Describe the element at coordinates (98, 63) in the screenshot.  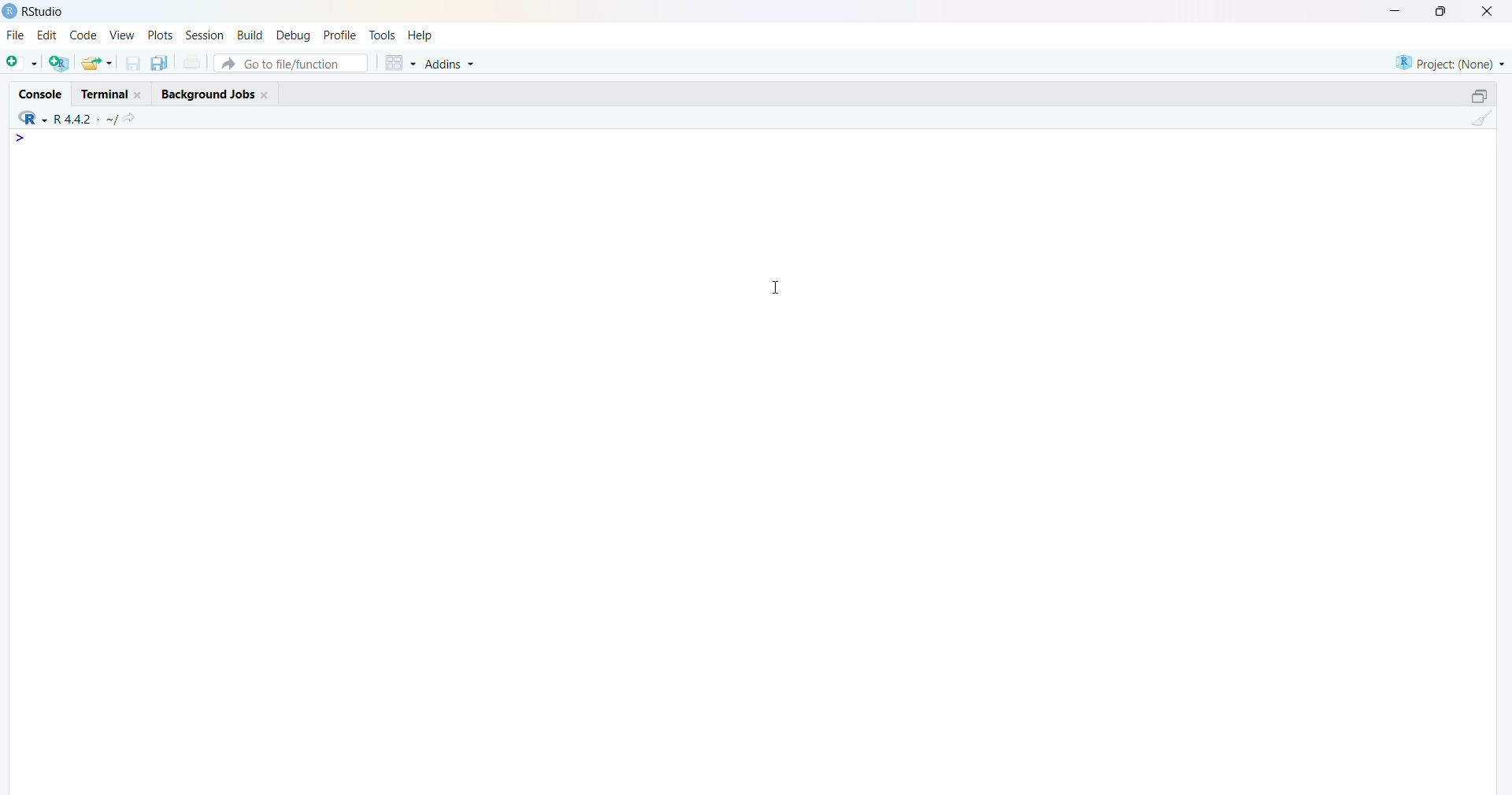
I see `share` at that location.